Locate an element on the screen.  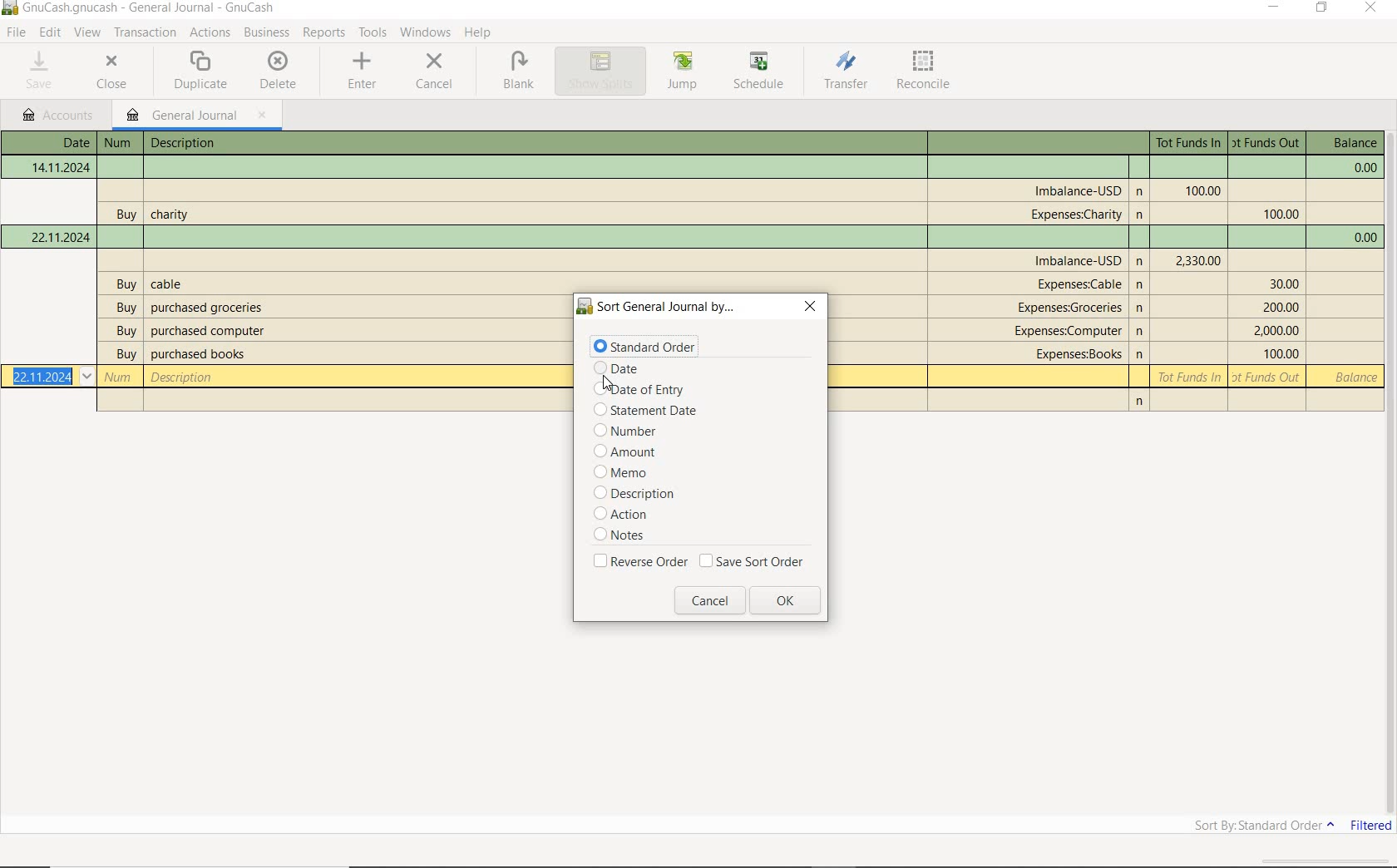
Tot Funds Out is located at coordinates (1276, 330).